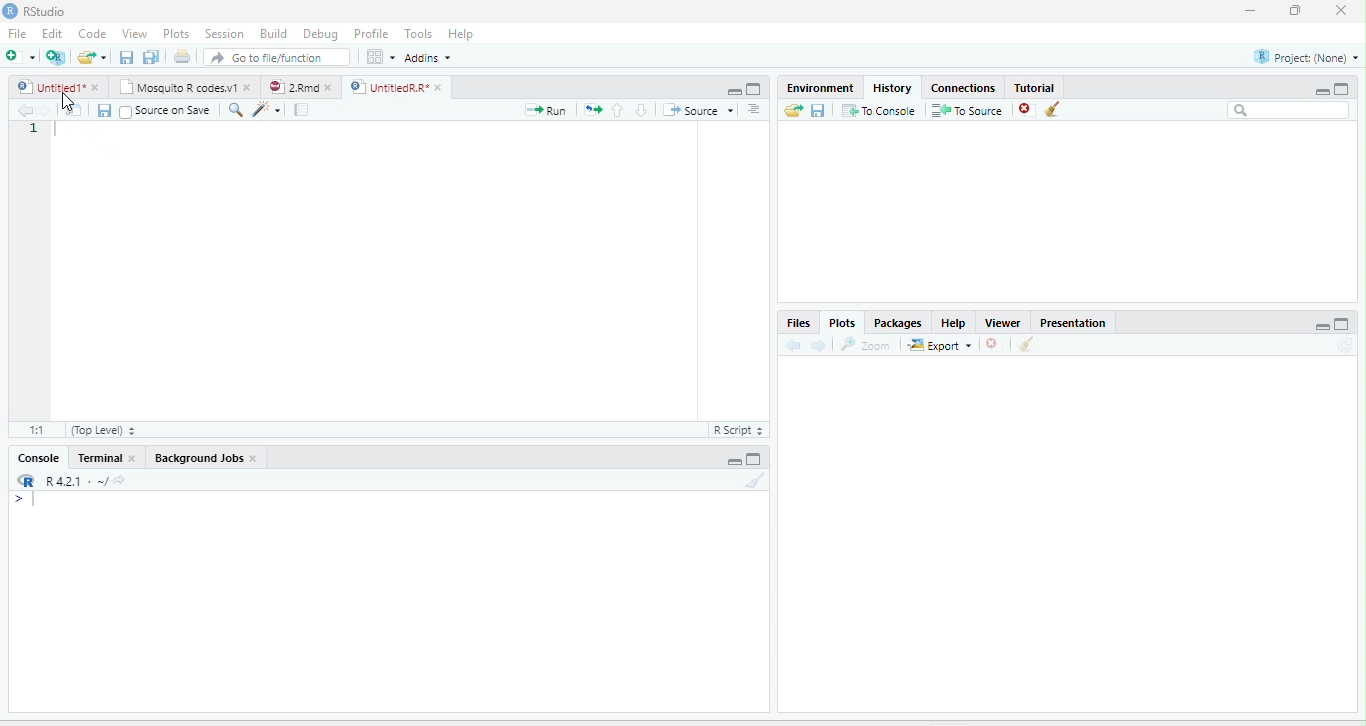  What do you see at coordinates (93, 33) in the screenshot?
I see `Code` at bounding box center [93, 33].